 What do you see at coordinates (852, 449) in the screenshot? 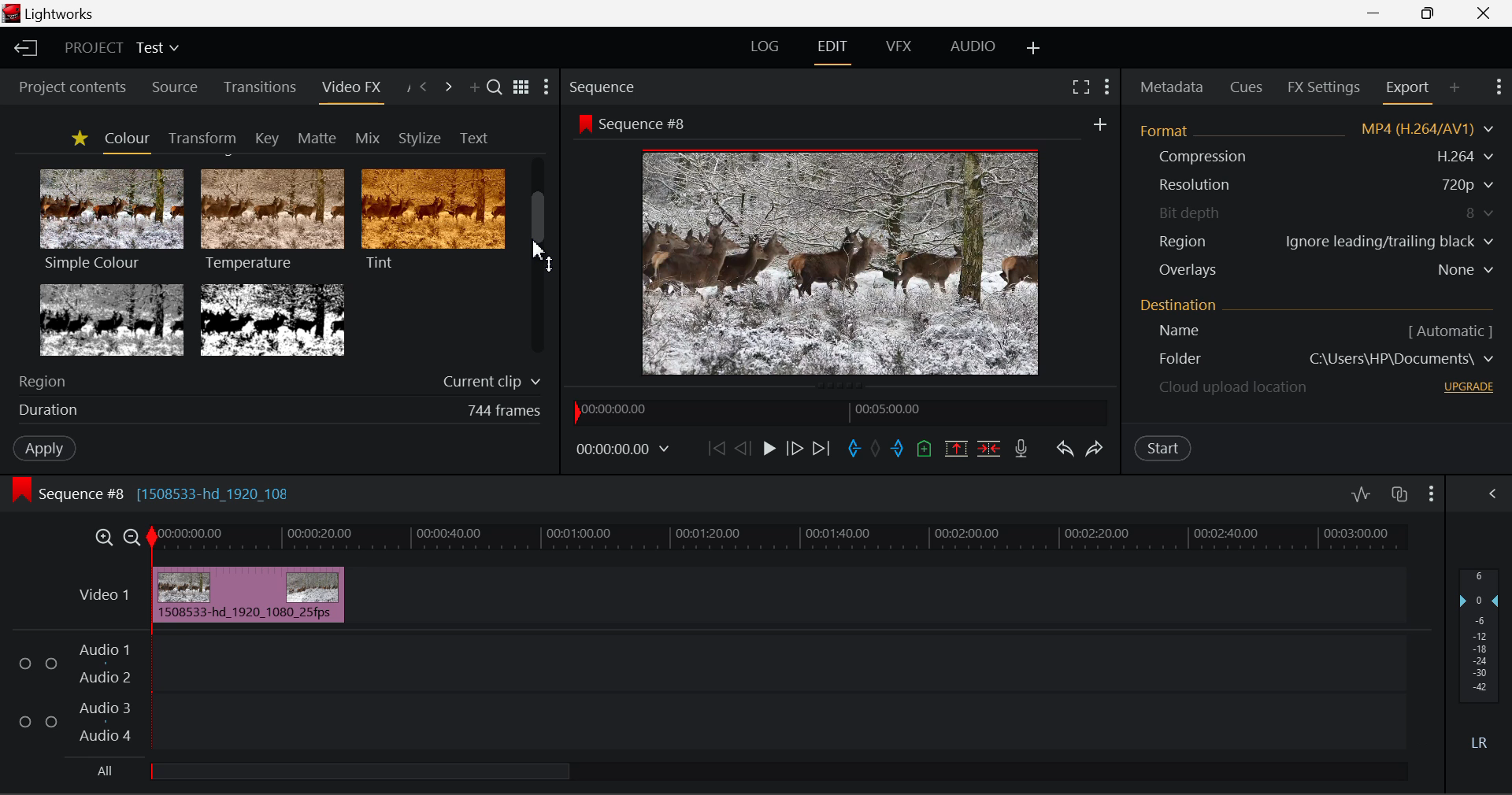
I see `Mark In` at bounding box center [852, 449].